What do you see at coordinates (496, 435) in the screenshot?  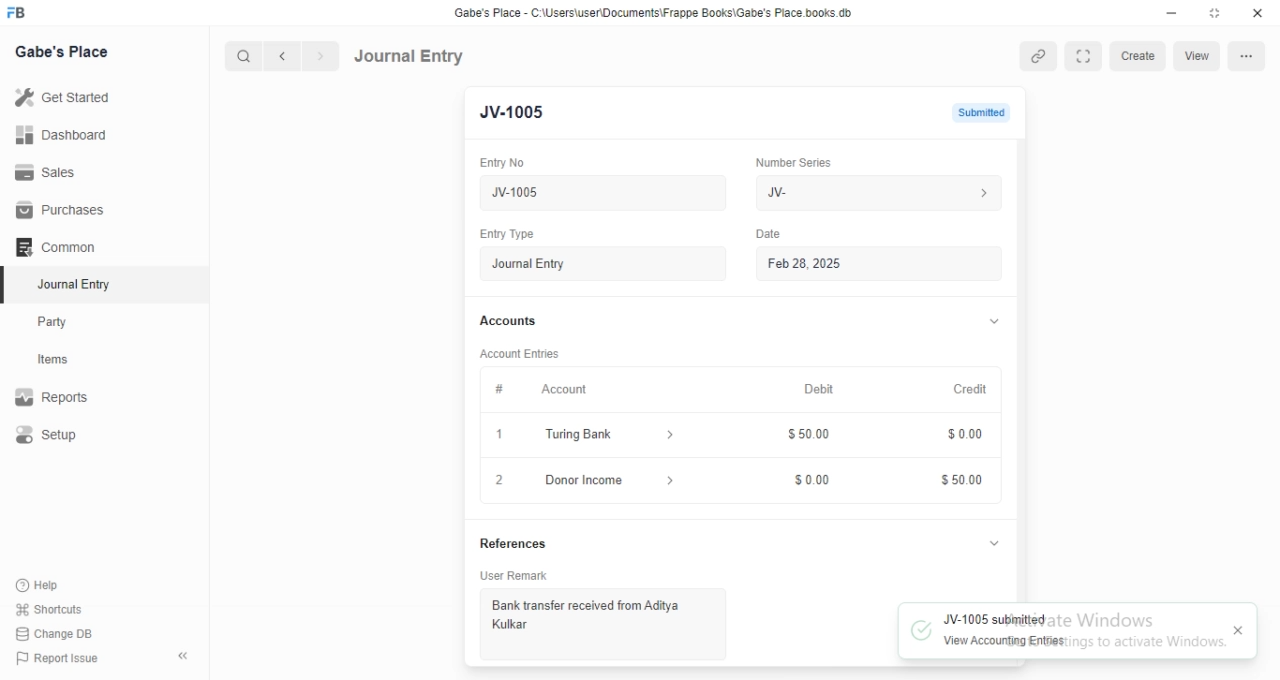 I see `1` at bounding box center [496, 435].